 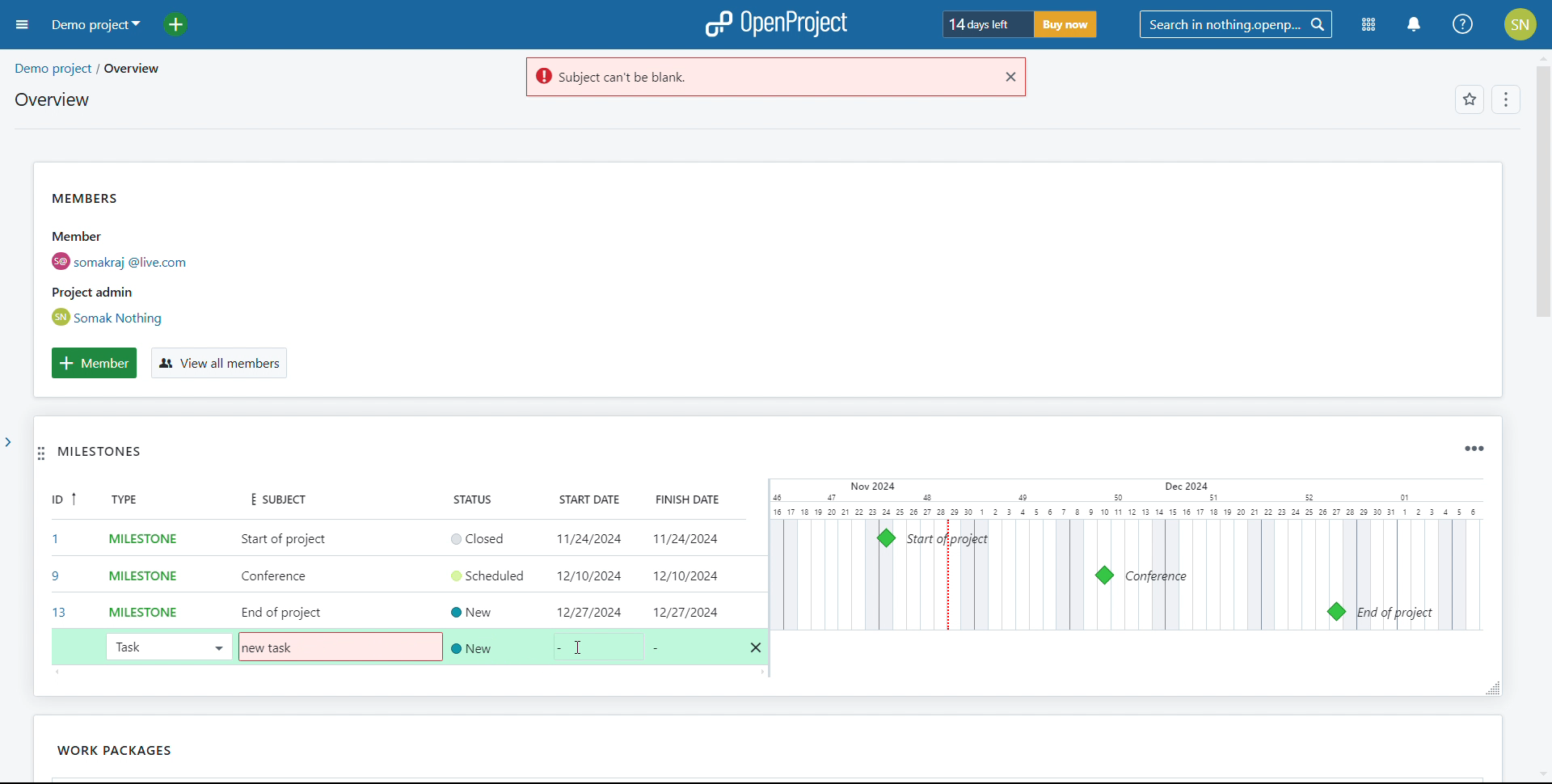 I want to click on id, so click(x=58, y=558).